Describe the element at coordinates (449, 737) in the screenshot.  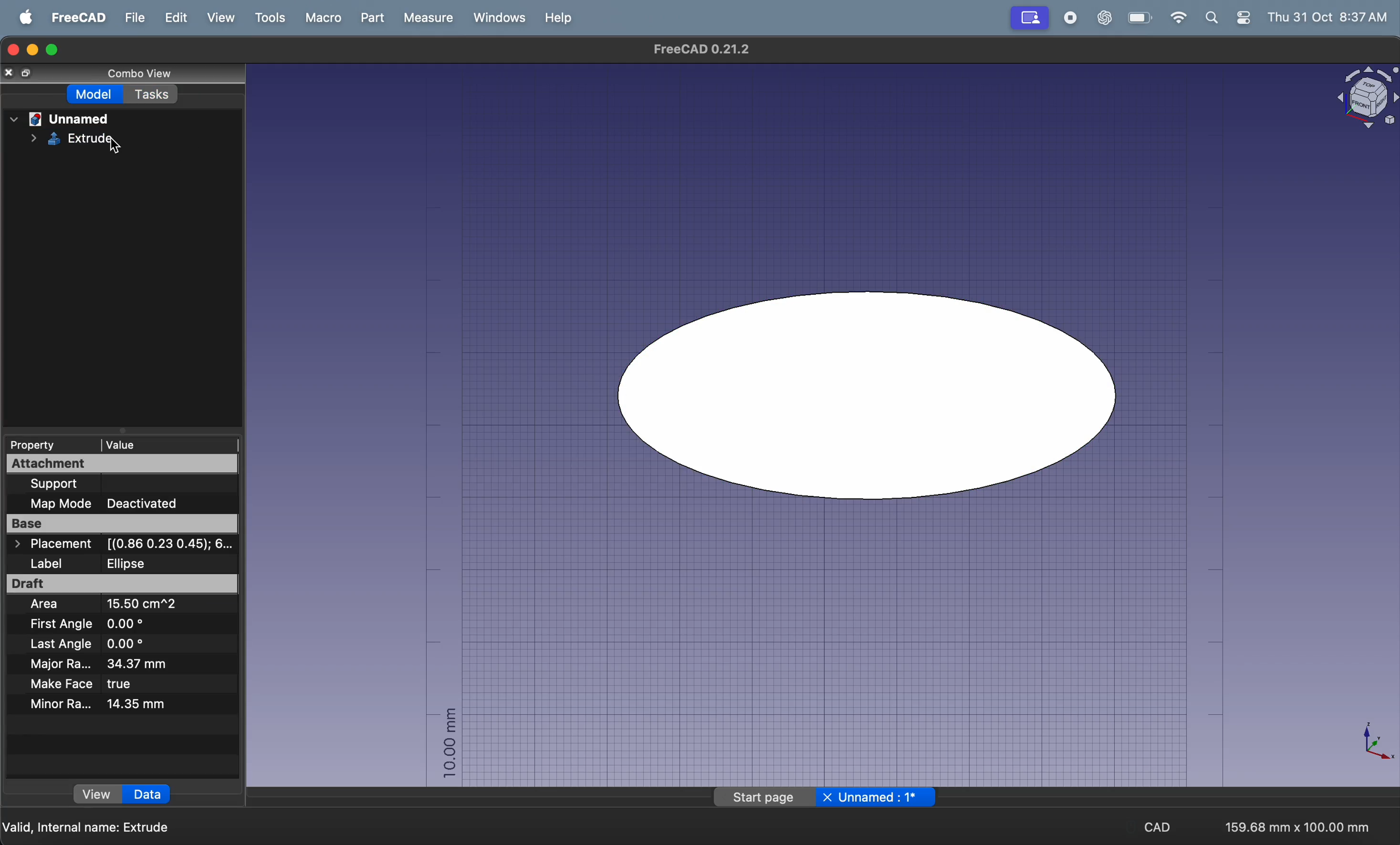
I see `10.00 mm` at that location.